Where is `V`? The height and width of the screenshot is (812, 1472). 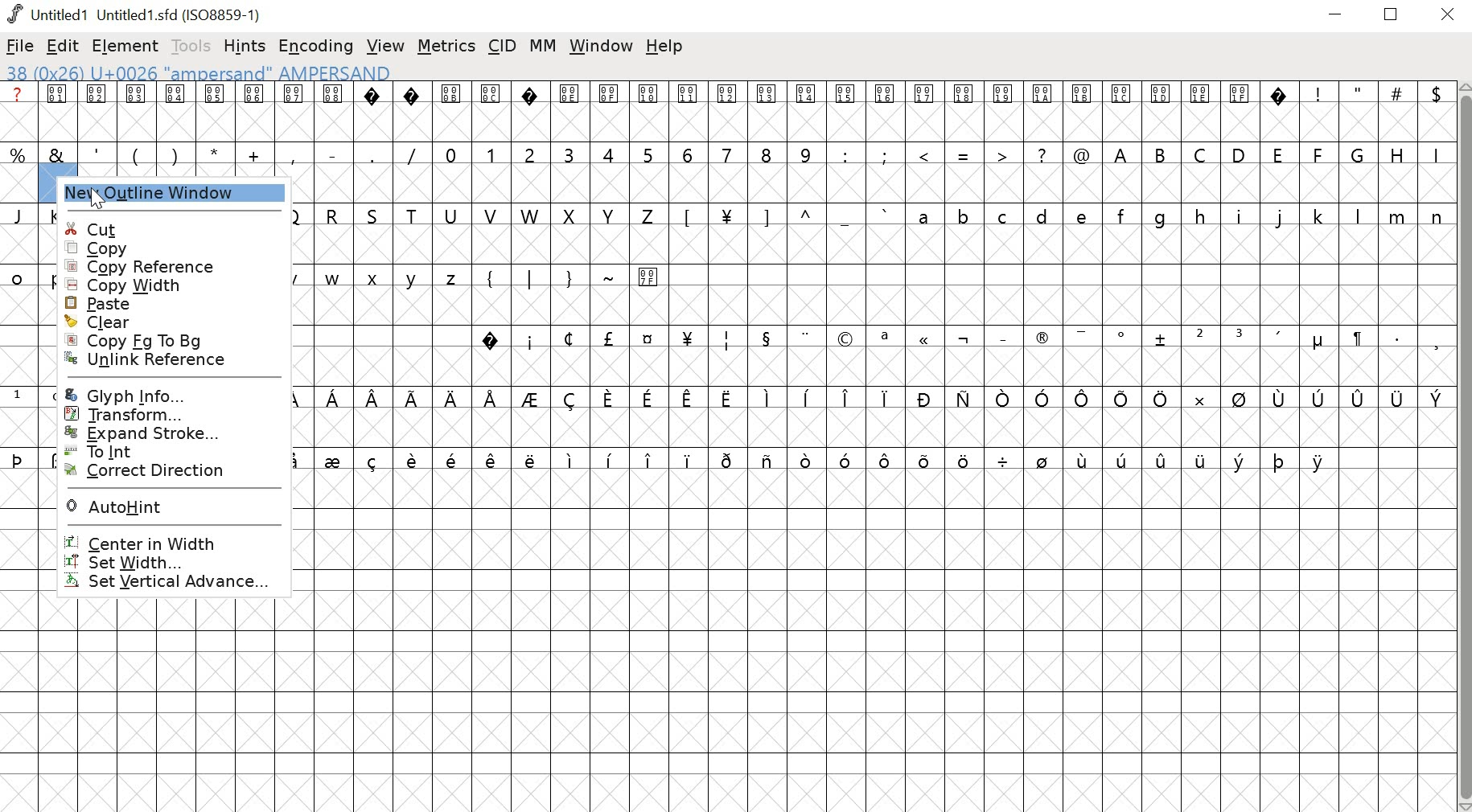 V is located at coordinates (492, 214).